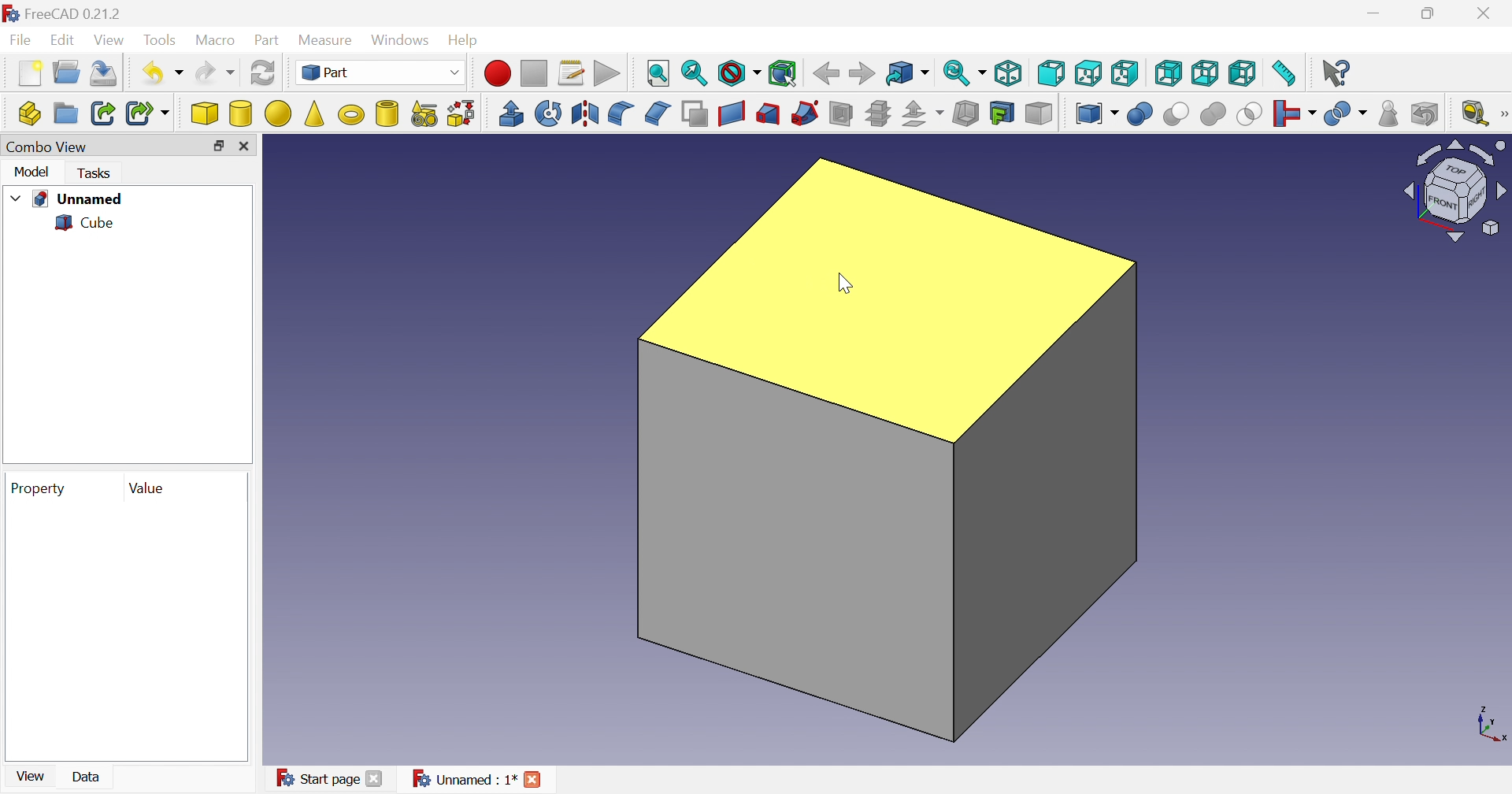 The width and height of the screenshot is (1512, 794). What do you see at coordinates (269, 41) in the screenshot?
I see `Part` at bounding box center [269, 41].